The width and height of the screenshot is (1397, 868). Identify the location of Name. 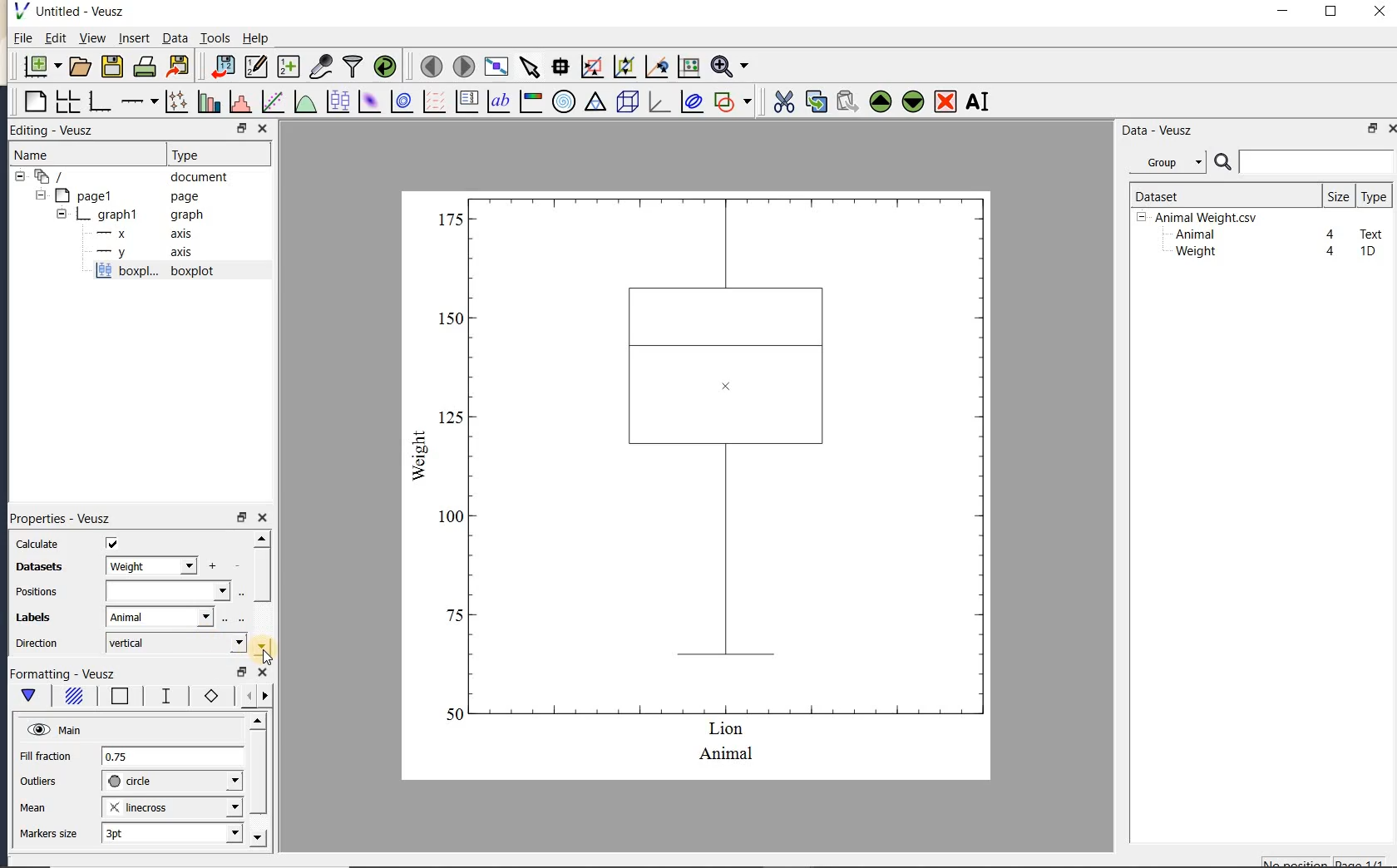
(49, 155).